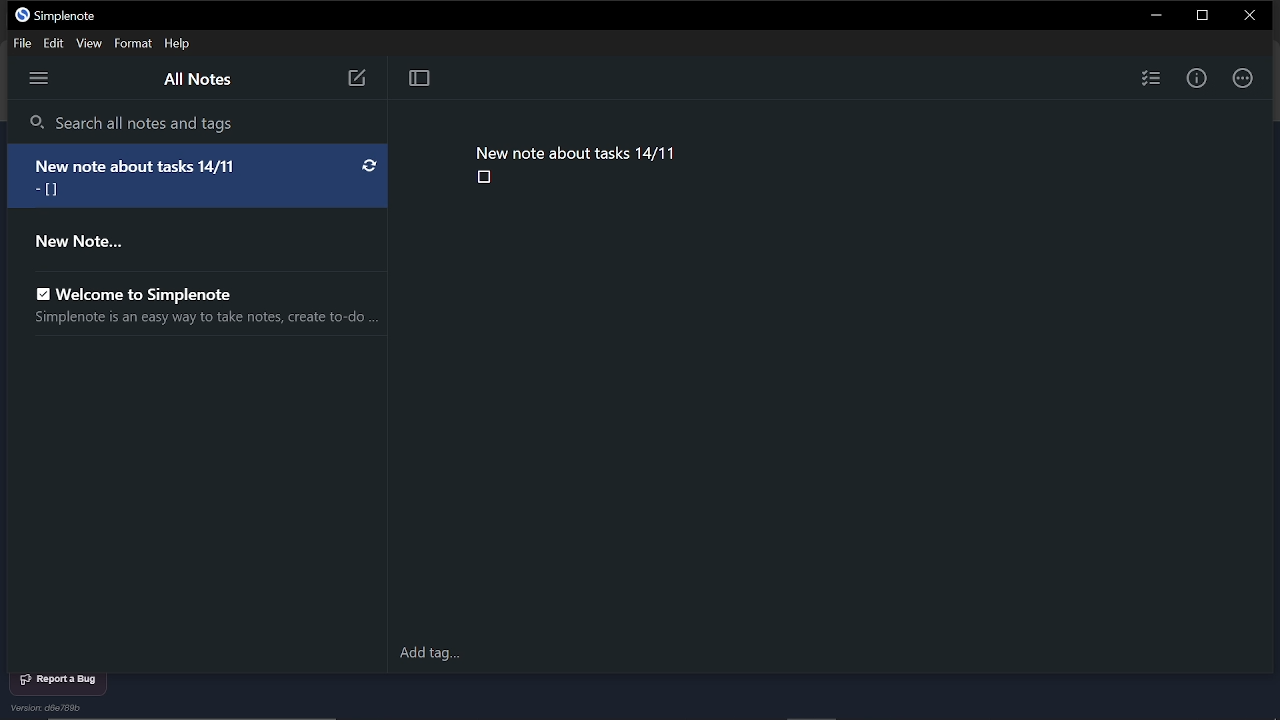  What do you see at coordinates (485, 178) in the screenshot?
I see `checkbox` at bounding box center [485, 178].